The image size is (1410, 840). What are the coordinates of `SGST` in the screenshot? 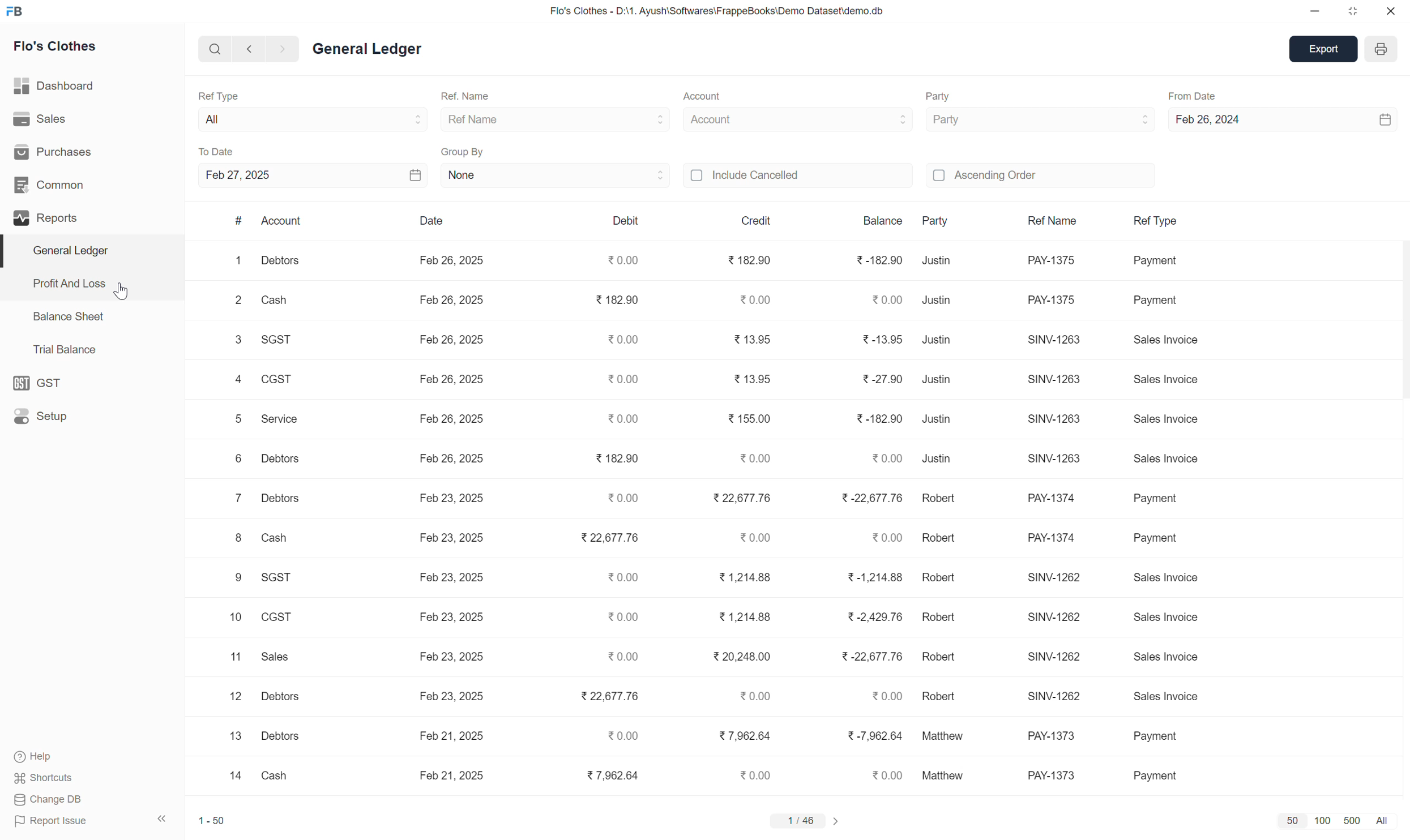 It's located at (280, 581).